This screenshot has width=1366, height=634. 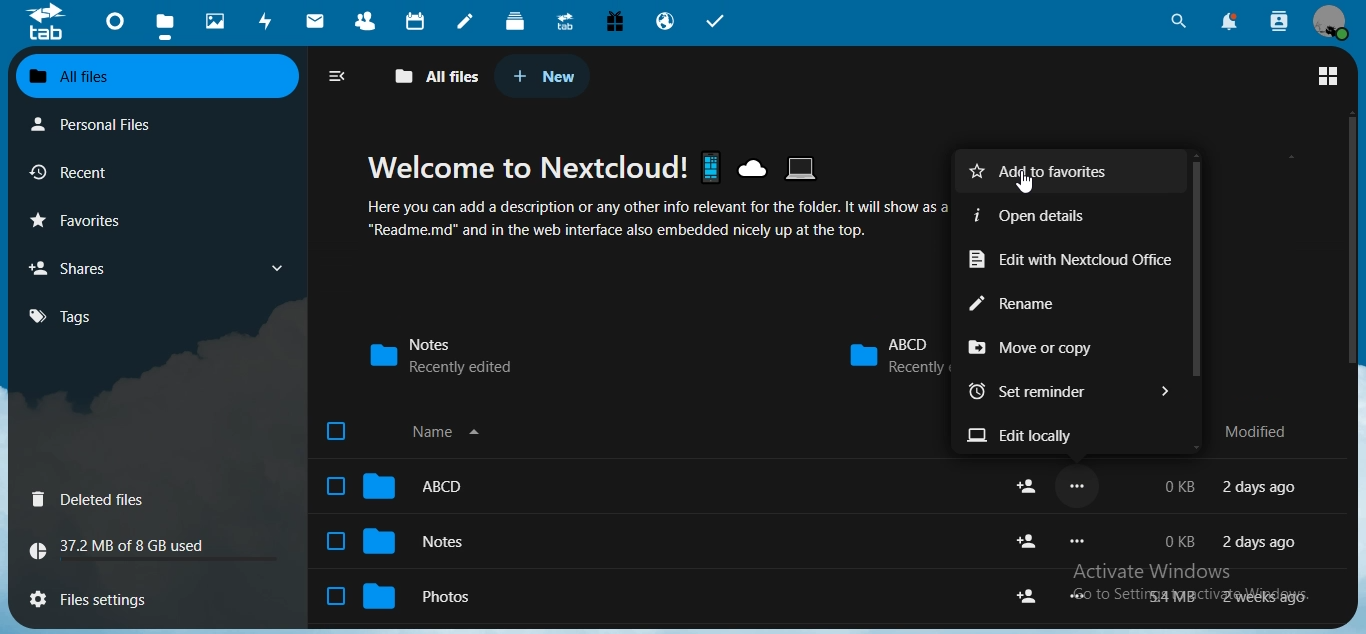 What do you see at coordinates (1264, 431) in the screenshot?
I see `modified` at bounding box center [1264, 431].